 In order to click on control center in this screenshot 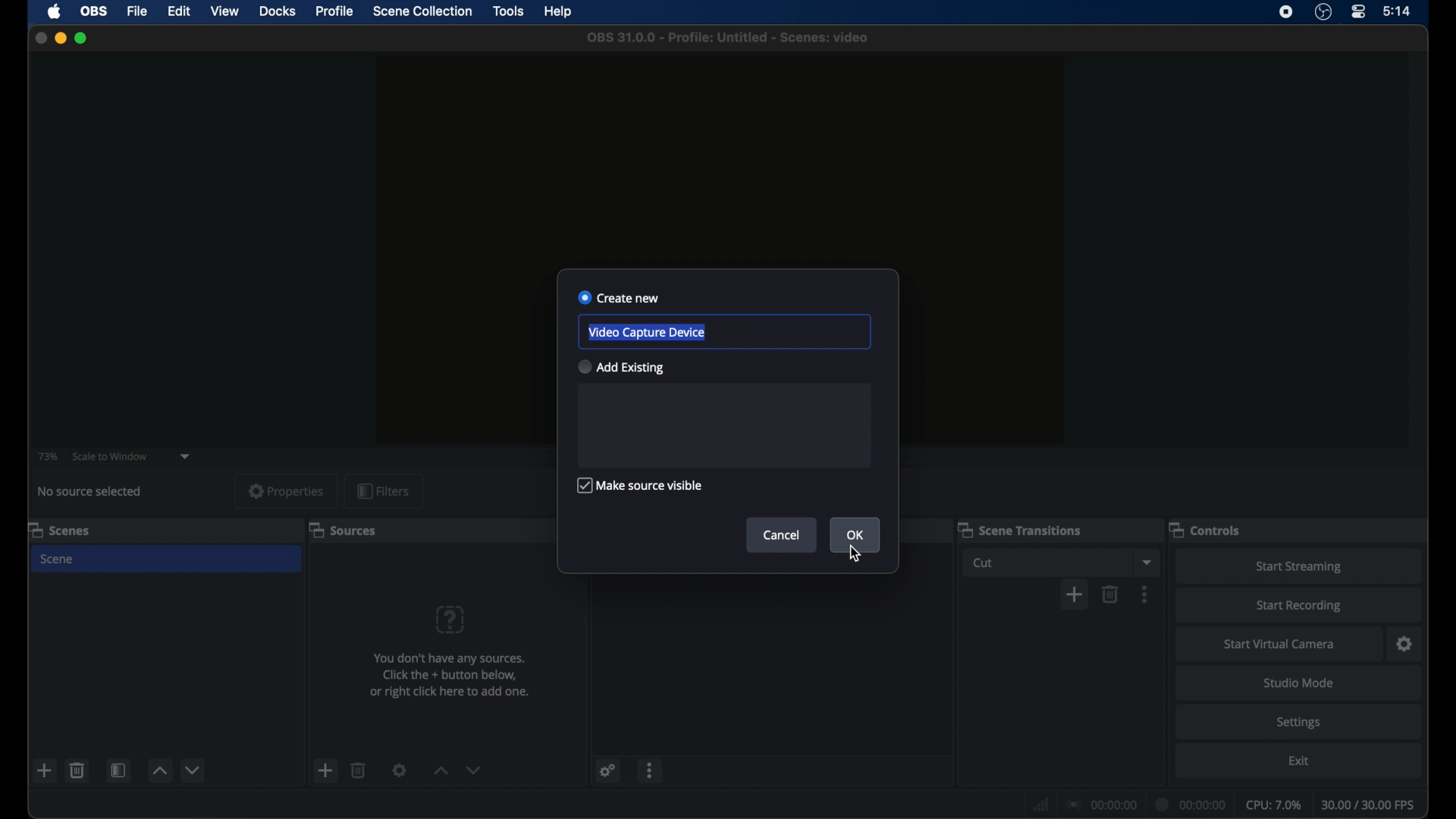, I will do `click(1357, 11)`.